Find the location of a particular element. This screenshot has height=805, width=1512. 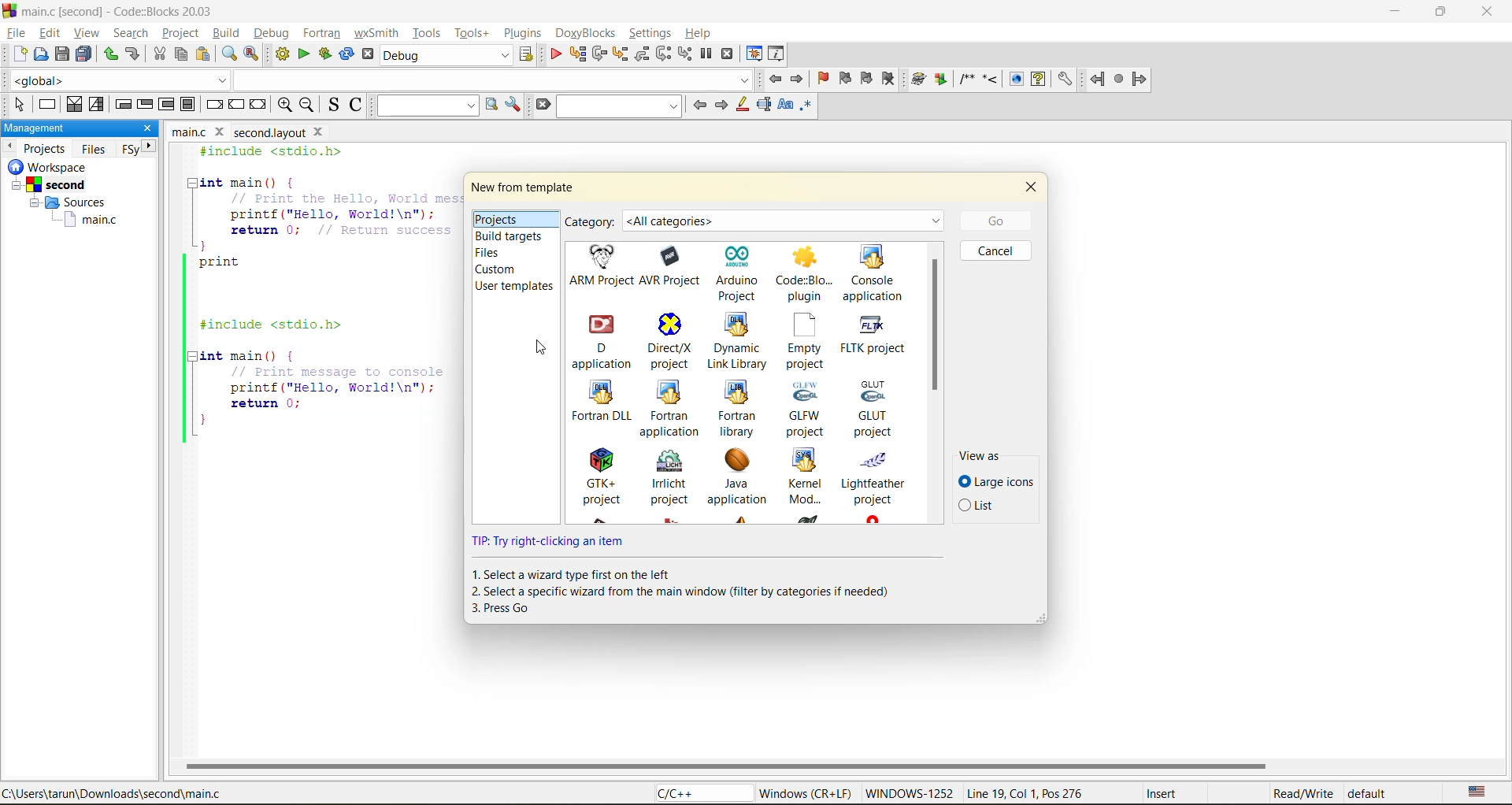

highlight is located at coordinates (740, 106).